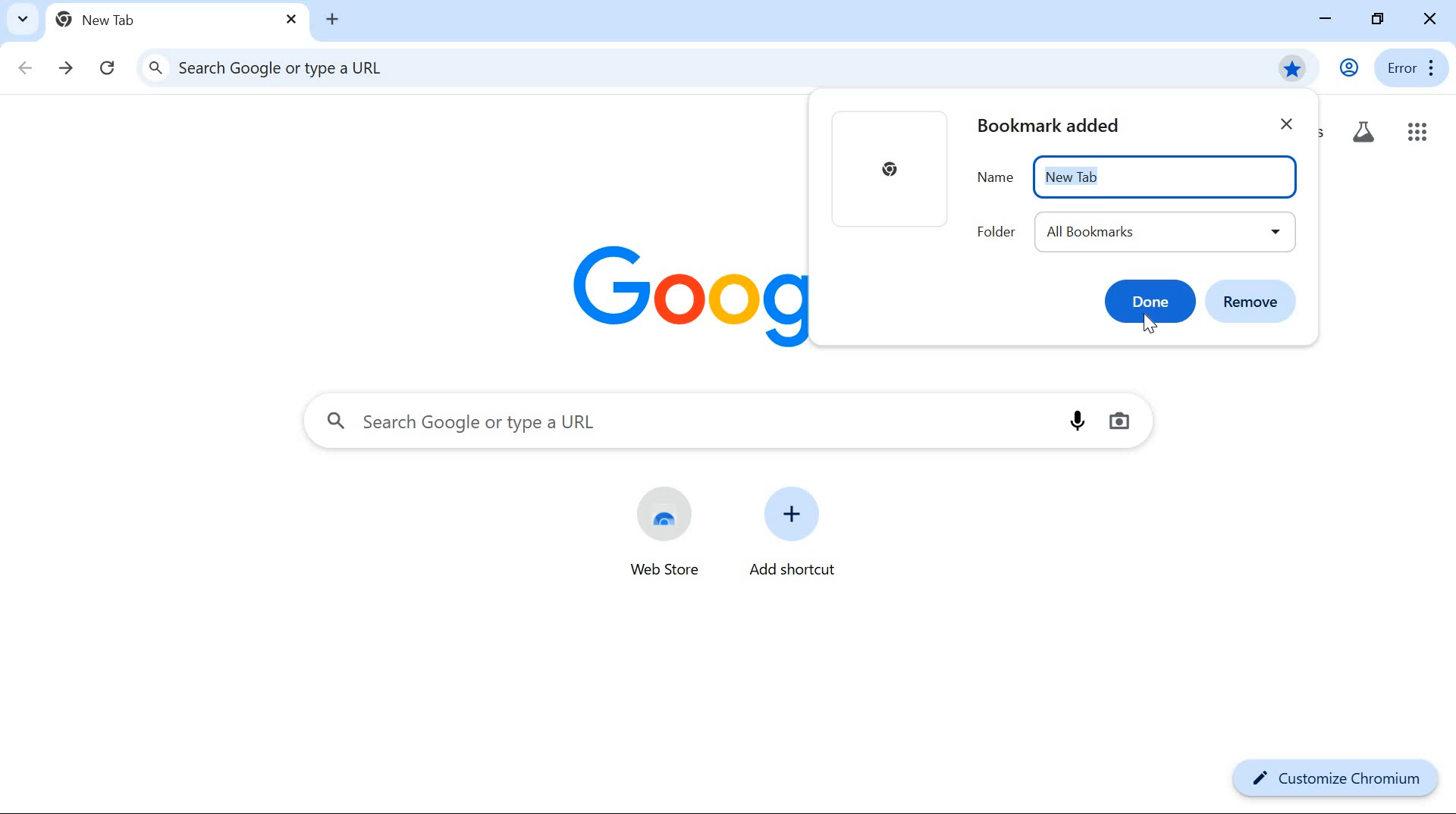 The image size is (1456, 814). What do you see at coordinates (1151, 301) in the screenshot?
I see `Done` at bounding box center [1151, 301].